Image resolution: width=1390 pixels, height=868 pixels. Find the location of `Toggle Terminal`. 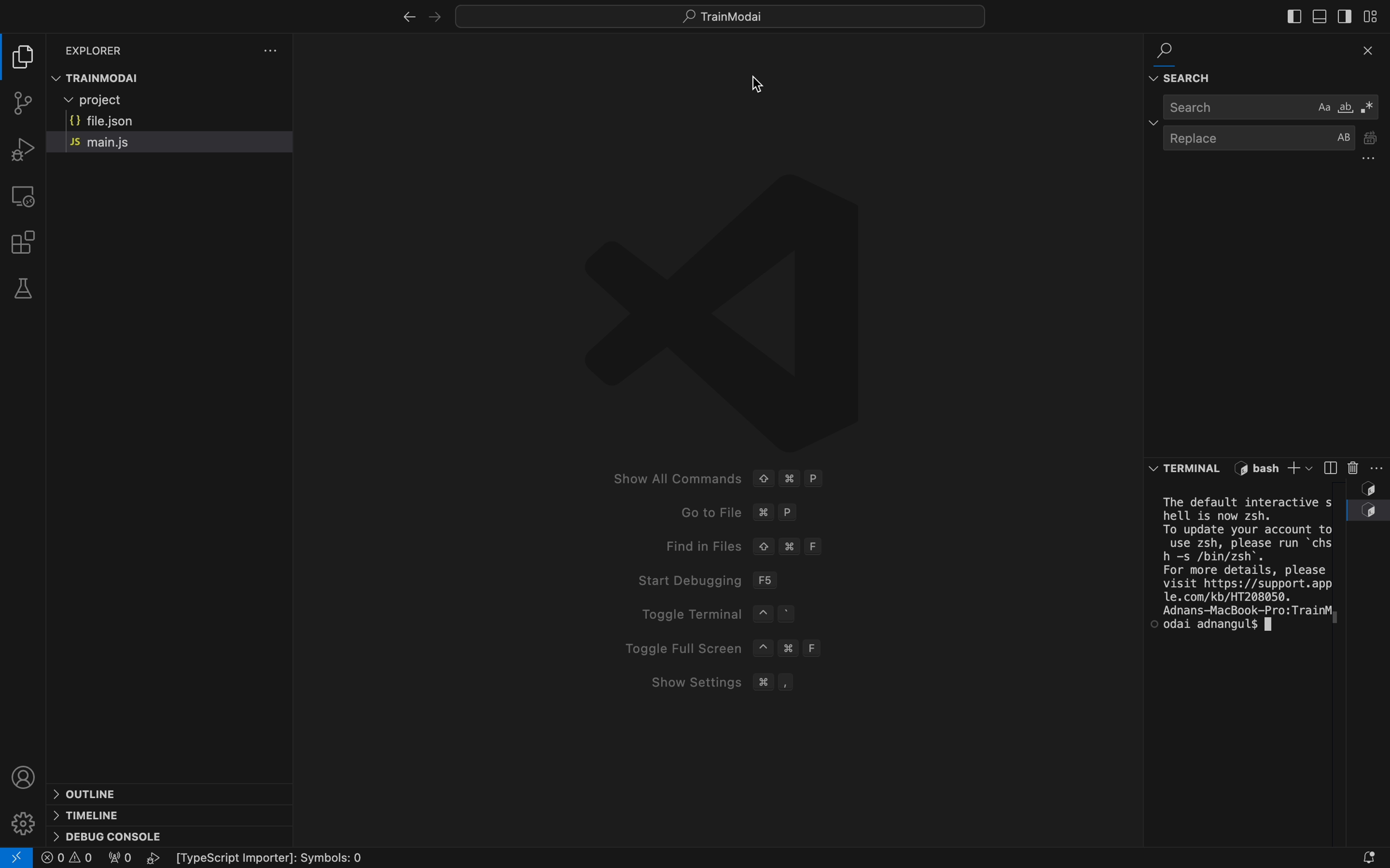

Toggle Terminal is located at coordinates (712, 615).